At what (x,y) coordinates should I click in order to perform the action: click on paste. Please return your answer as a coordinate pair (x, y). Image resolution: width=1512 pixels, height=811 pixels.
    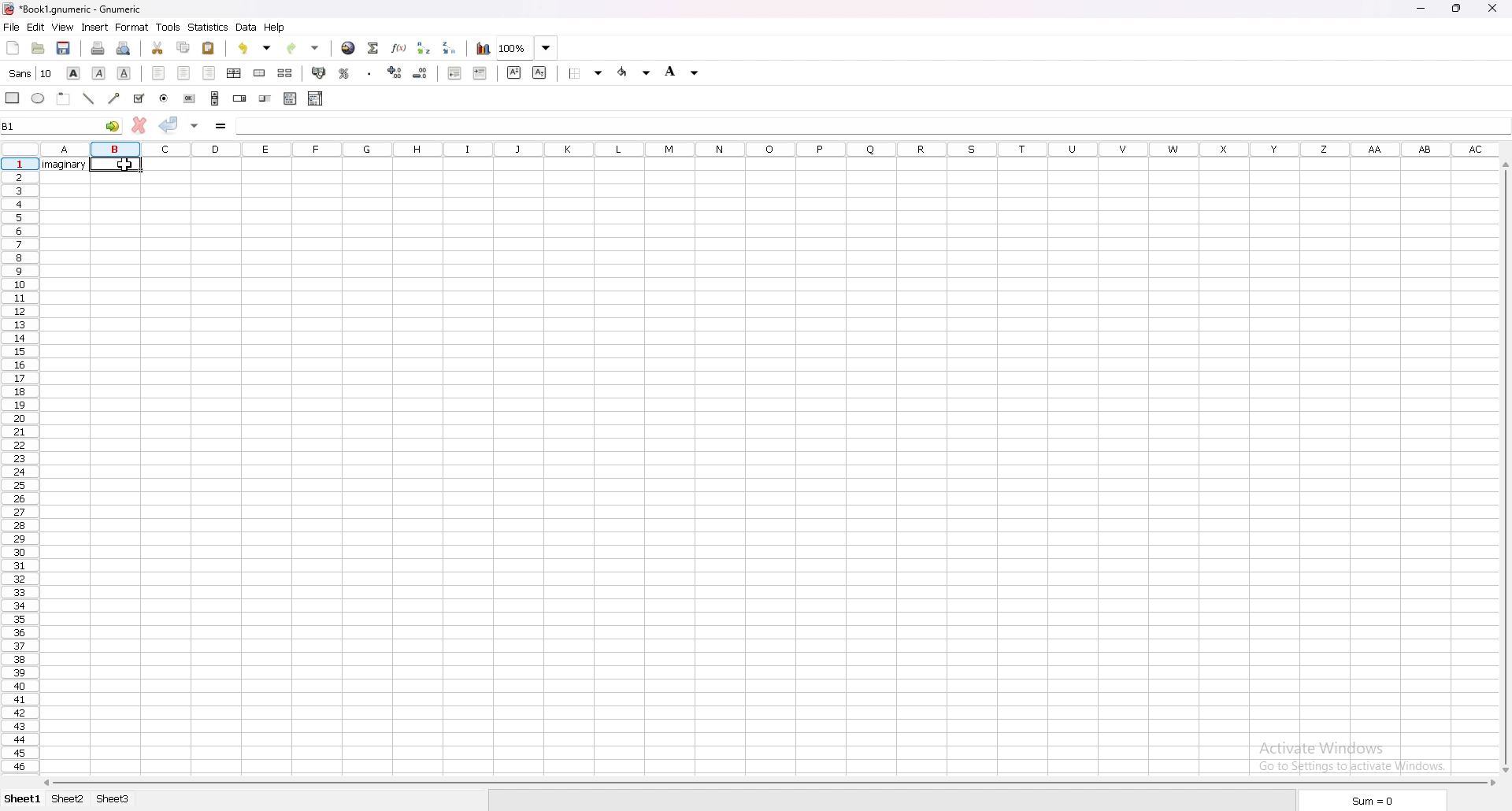
    Looking at the image, I should click on (209, 47).